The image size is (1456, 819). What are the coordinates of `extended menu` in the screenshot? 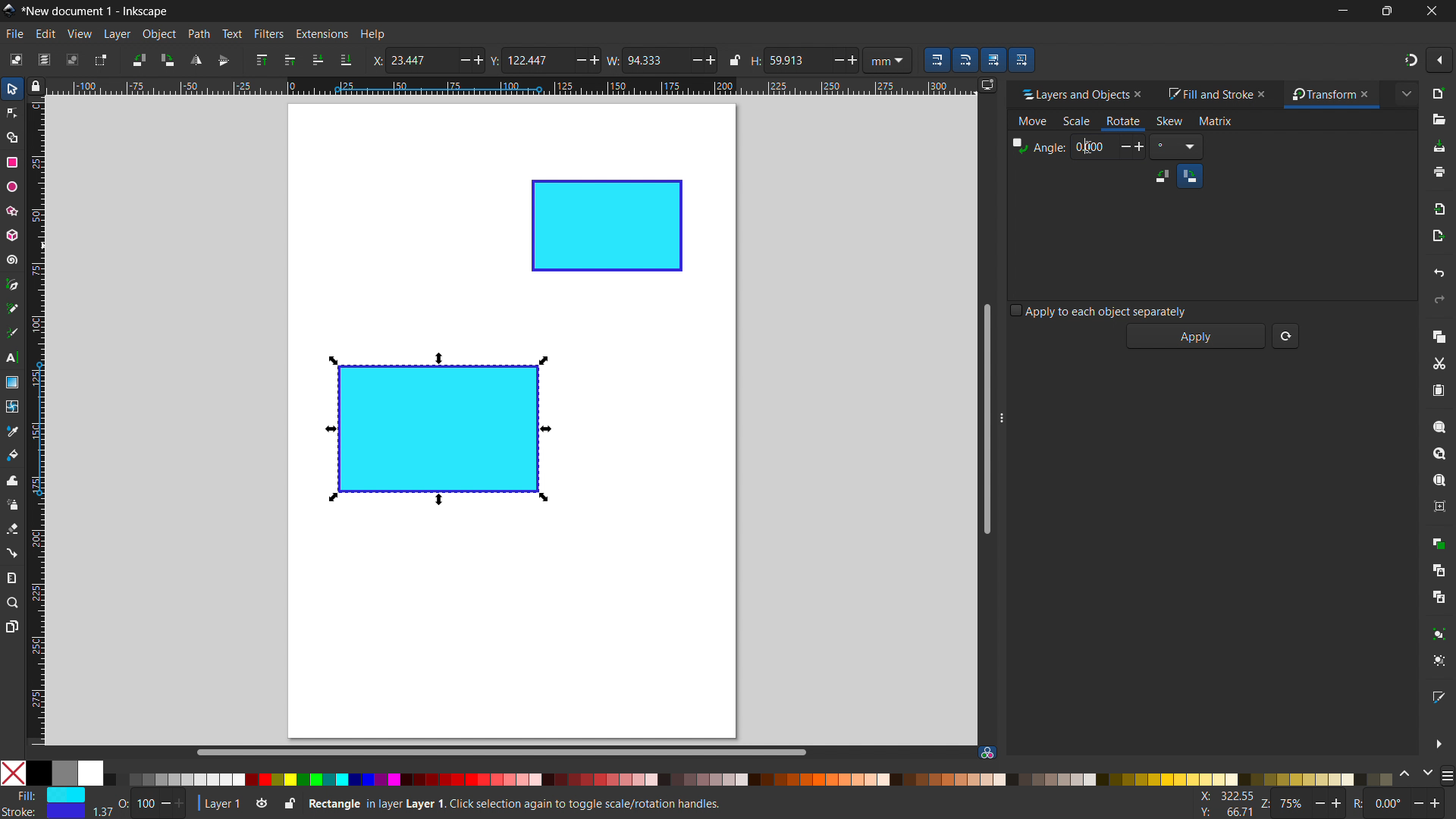 It's located at (1406, 93).